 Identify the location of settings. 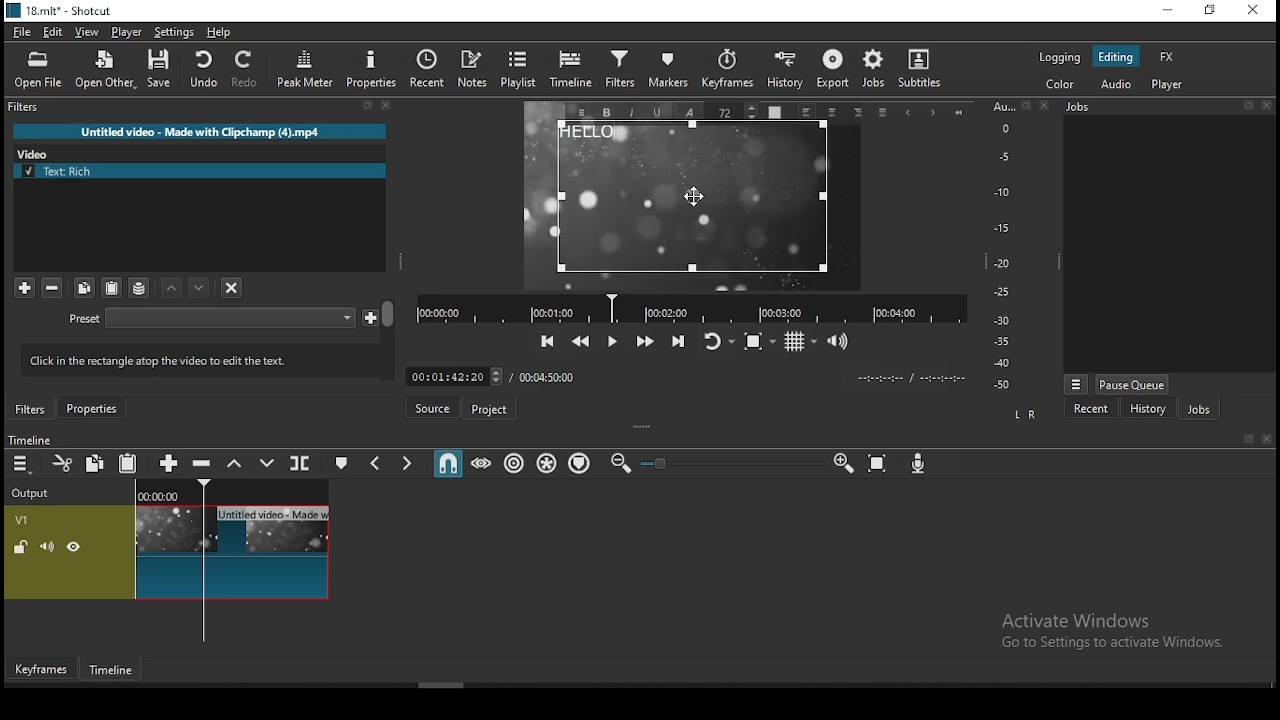
(173, 33).